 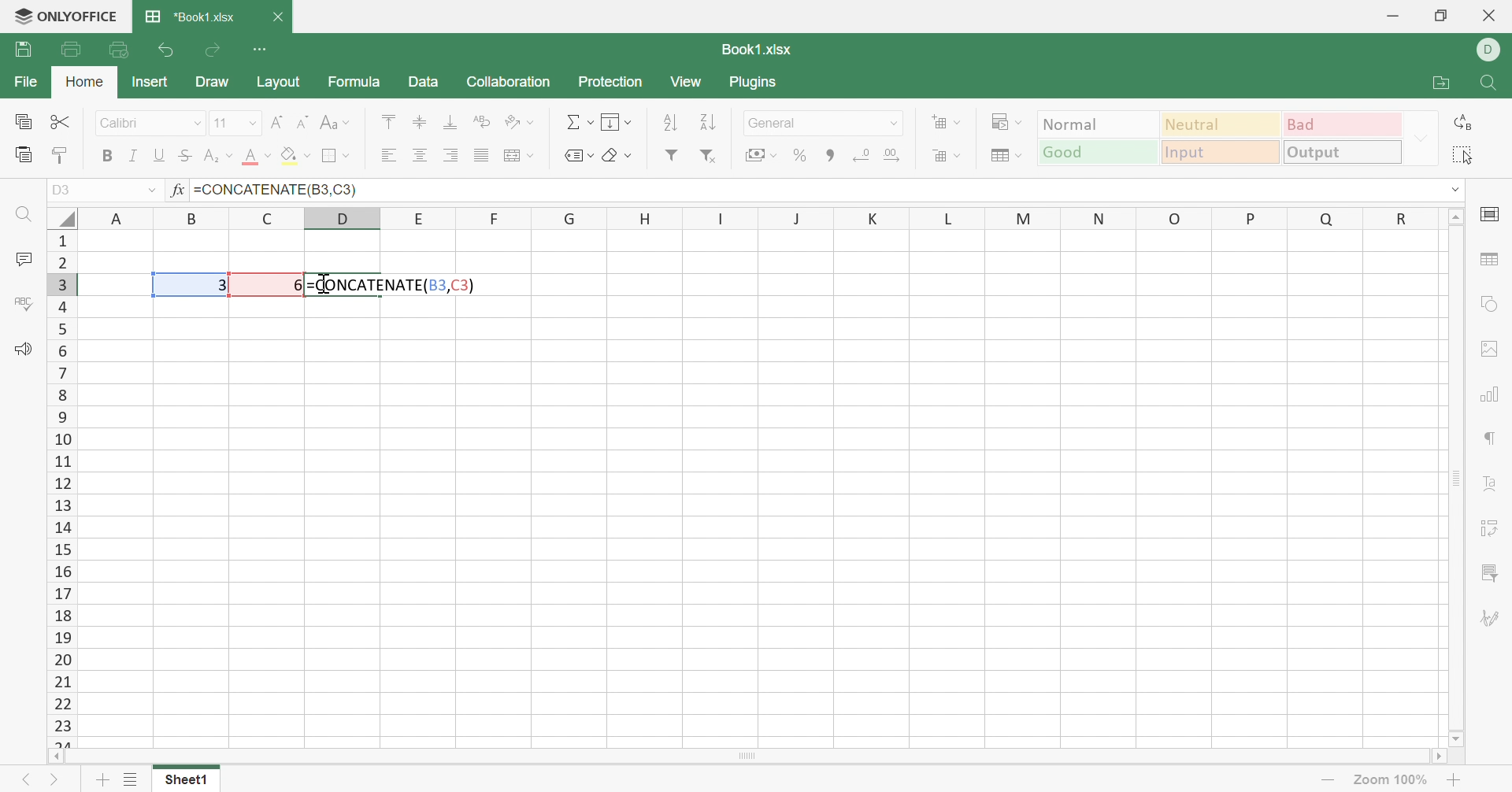 What do you see at coordinates (1004, 154) in the screenshot?
I see `Format as table template` at bounding box center [1004, 154].